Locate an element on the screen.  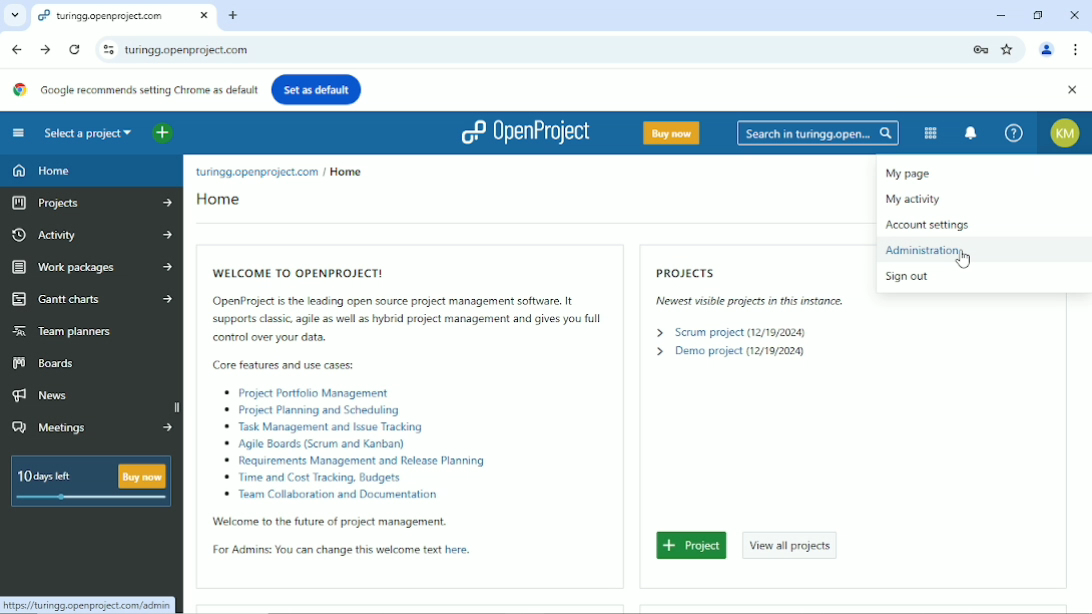
Buy now is located at coordinates (670, 132).